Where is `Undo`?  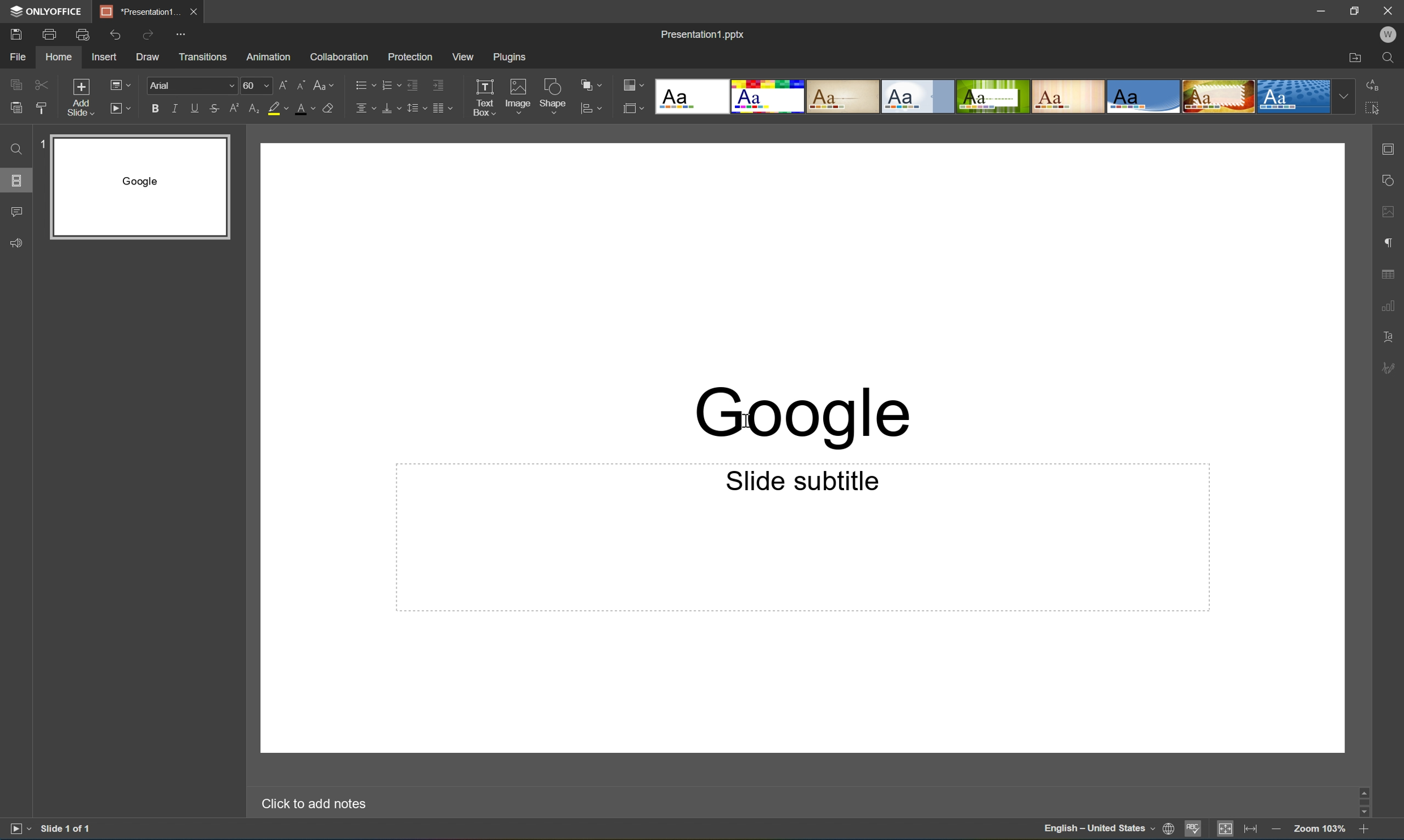 Undo is located at coordinates (115, 36).